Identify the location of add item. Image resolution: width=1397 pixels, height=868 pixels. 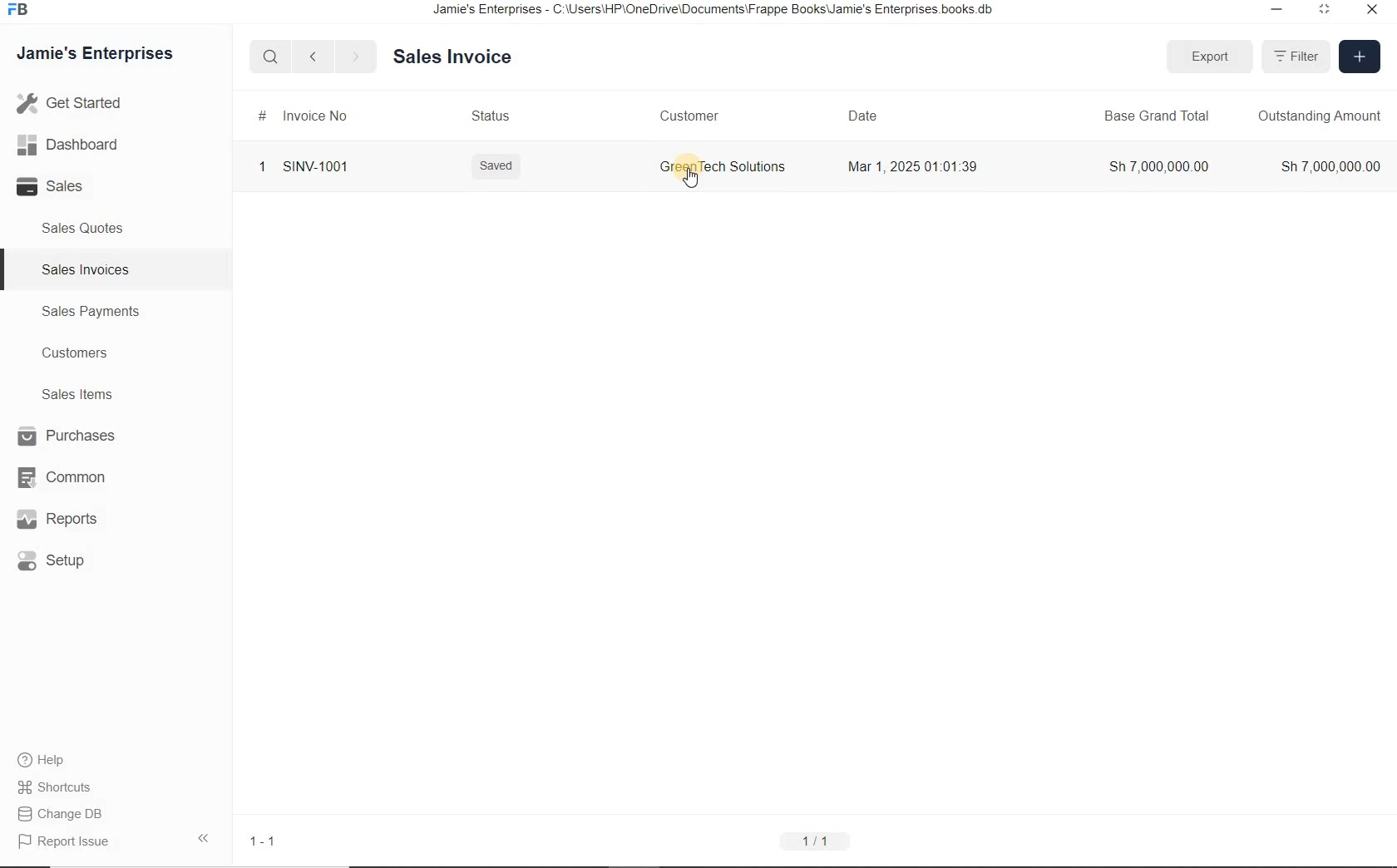
(1358, 57).